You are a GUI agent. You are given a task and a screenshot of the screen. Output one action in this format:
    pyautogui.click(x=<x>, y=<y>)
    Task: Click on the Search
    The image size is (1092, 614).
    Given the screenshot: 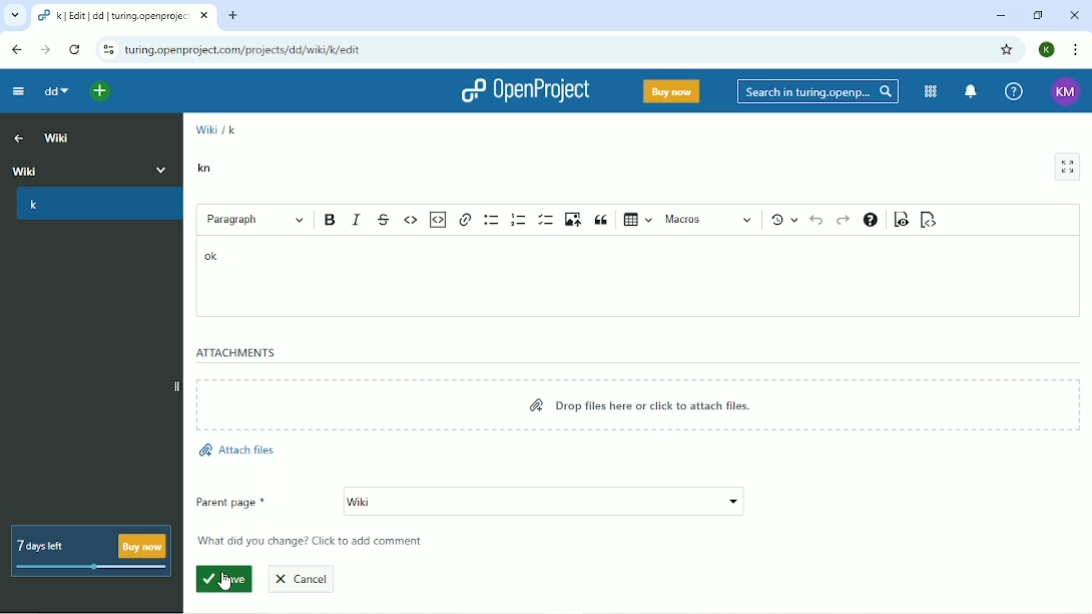 What is the action you would take?
    pyautogui.click(x=817, y=91)
    